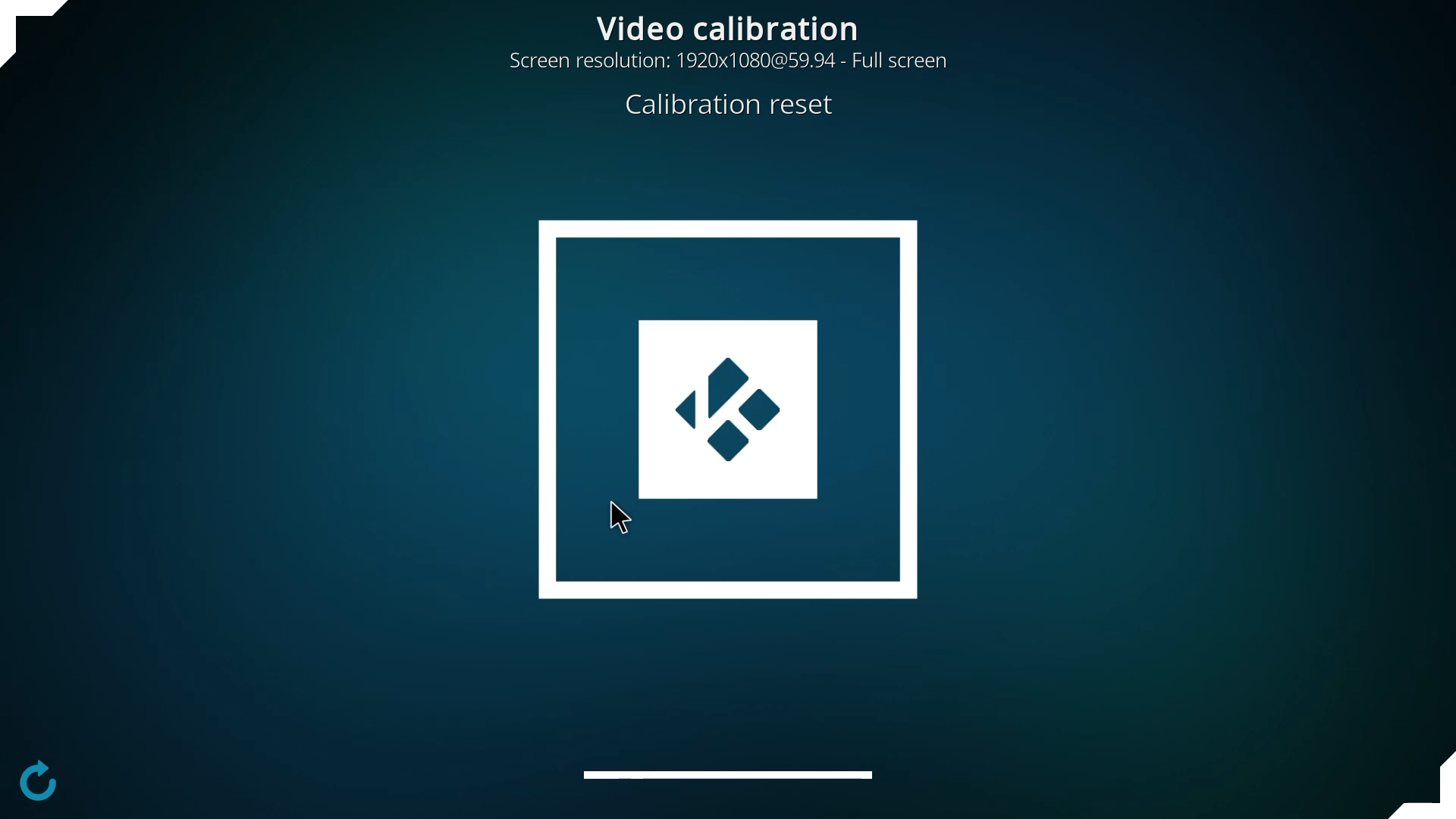 This screenshot has width=1456, height=819. I want to click on cursor, so click(617, 513).